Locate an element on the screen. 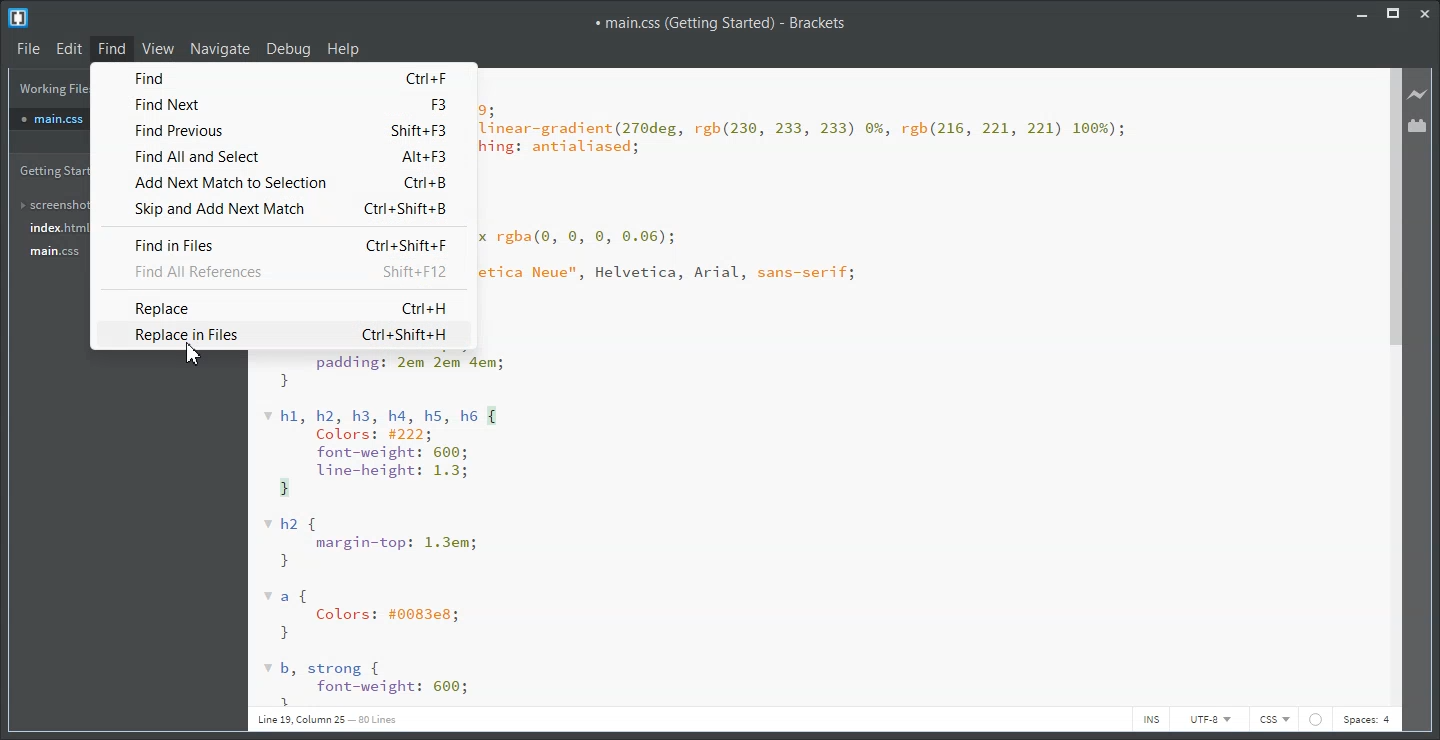  Vertical Scroll bar is located at coordinates (1393, 387).